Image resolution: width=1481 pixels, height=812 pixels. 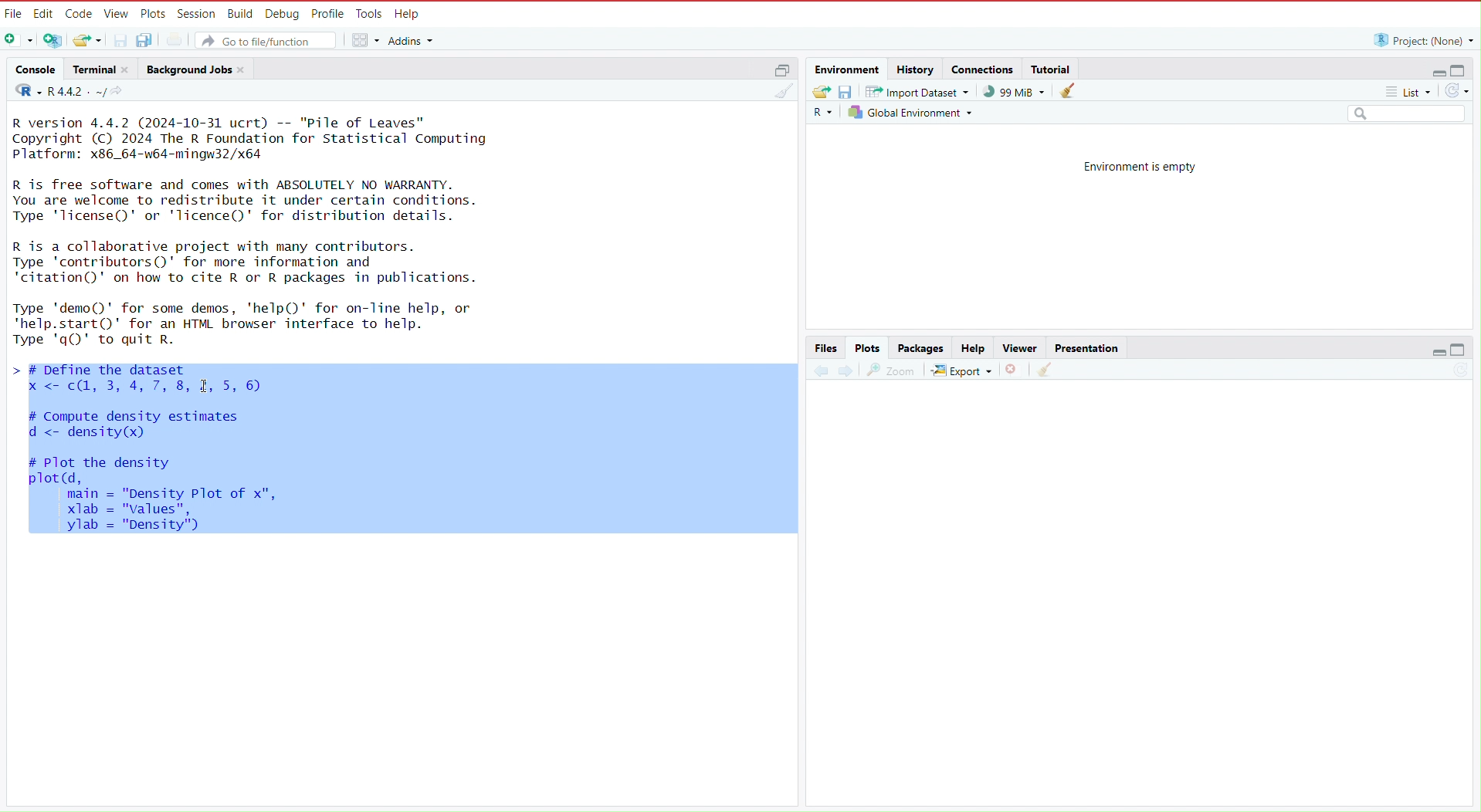 I want to click on minimize, so click(x=1432, y=69).